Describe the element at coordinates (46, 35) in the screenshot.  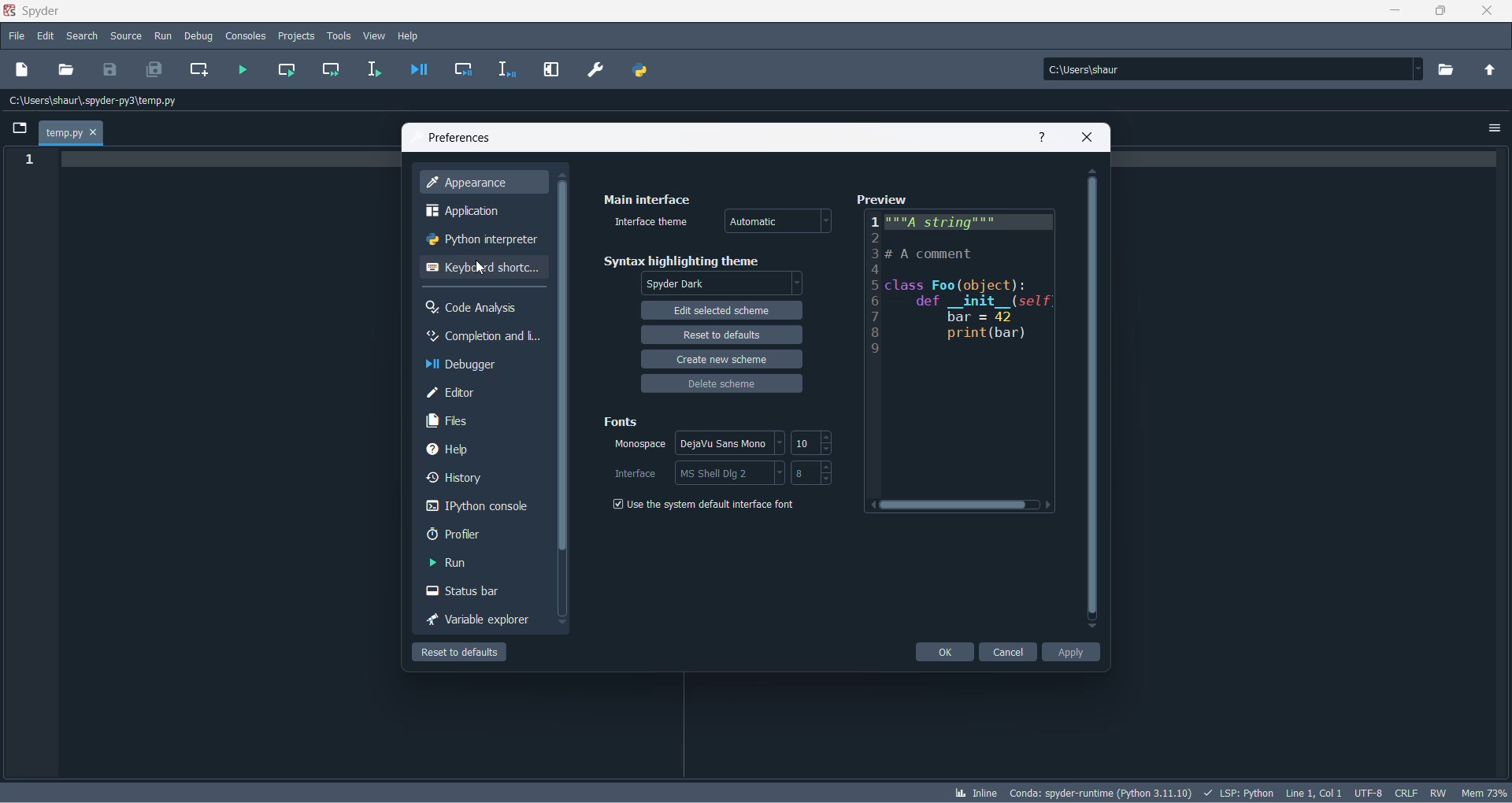
I see `edit` at that location.